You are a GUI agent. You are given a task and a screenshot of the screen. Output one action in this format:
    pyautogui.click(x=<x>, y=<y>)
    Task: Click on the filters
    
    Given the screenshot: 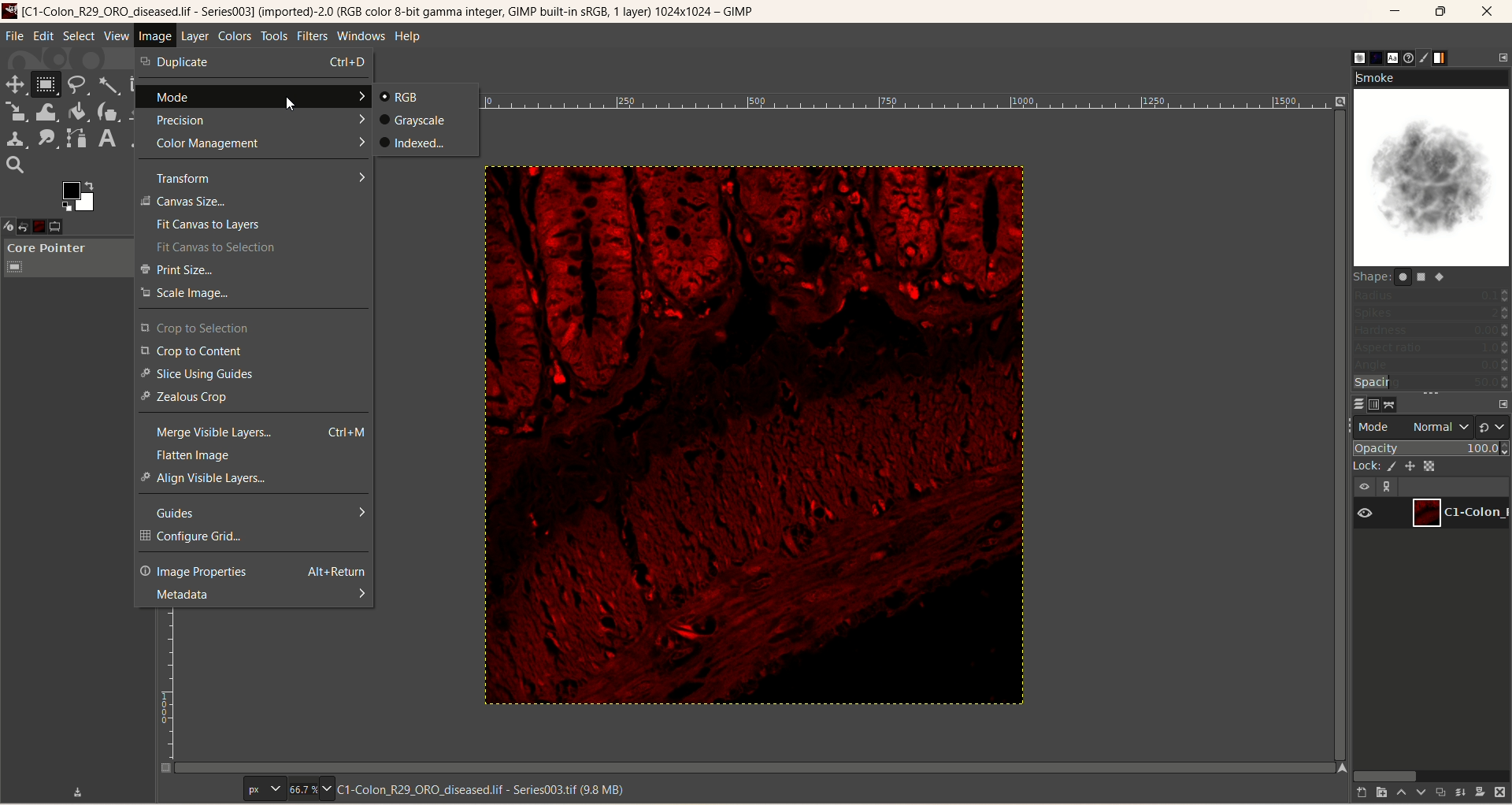 What is the action you would take?
    pyautogui.click(x=313, y=36)
    